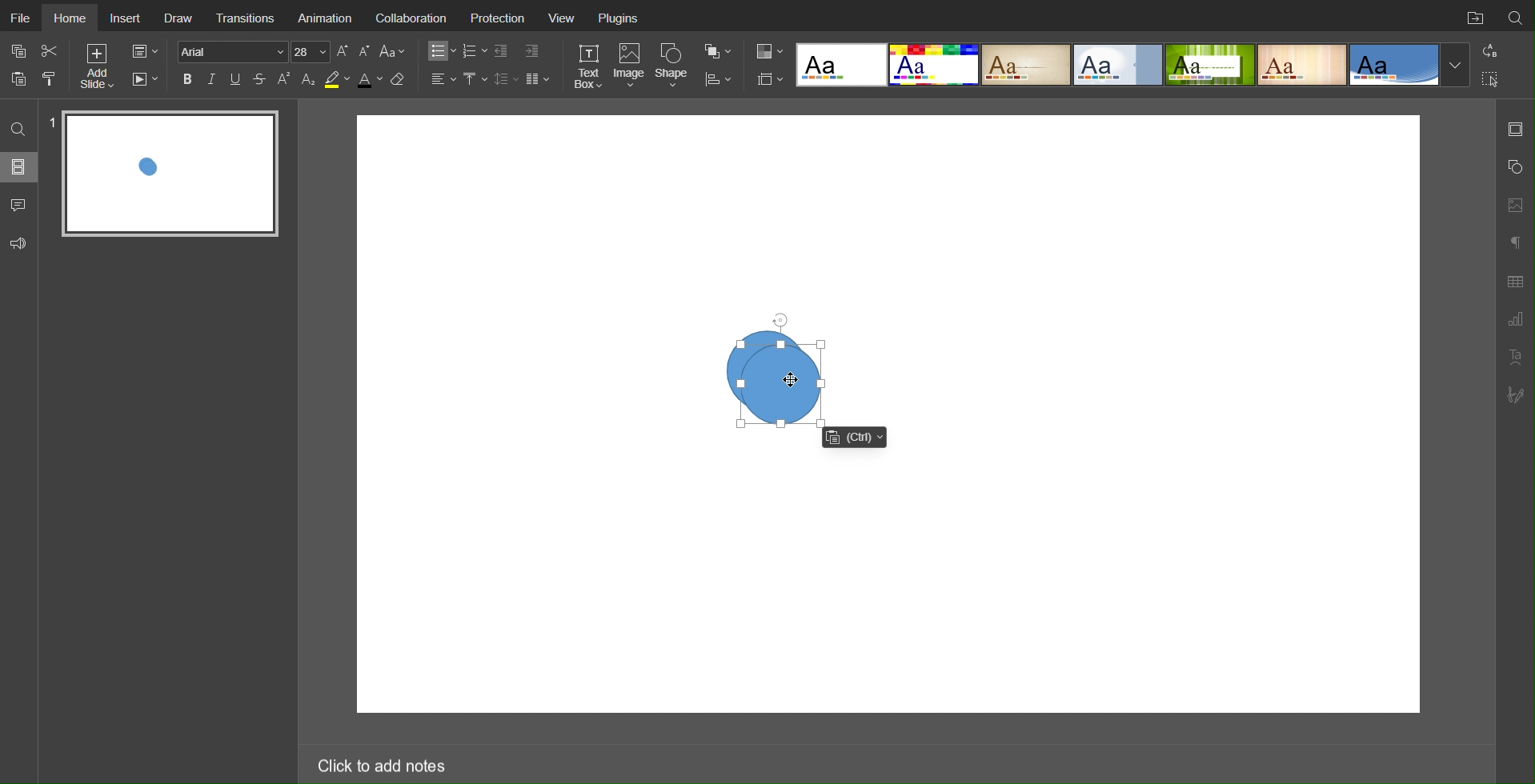 Image resolution: width=1535 pixels, height=784 pixels. I want to click on Alignment, so click(442, 78).